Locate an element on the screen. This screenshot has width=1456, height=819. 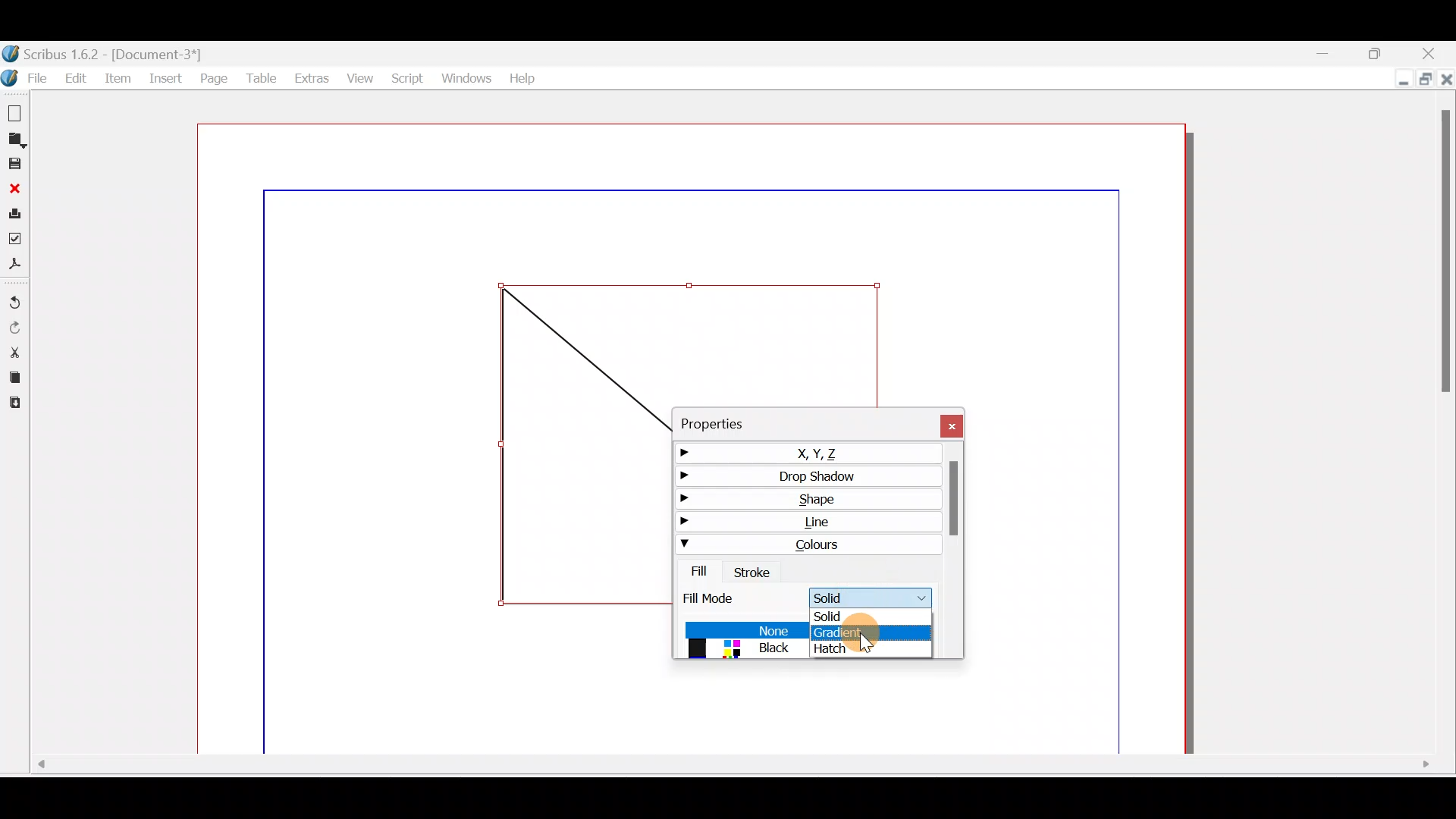
Colours is located at coordinates (807, 543).